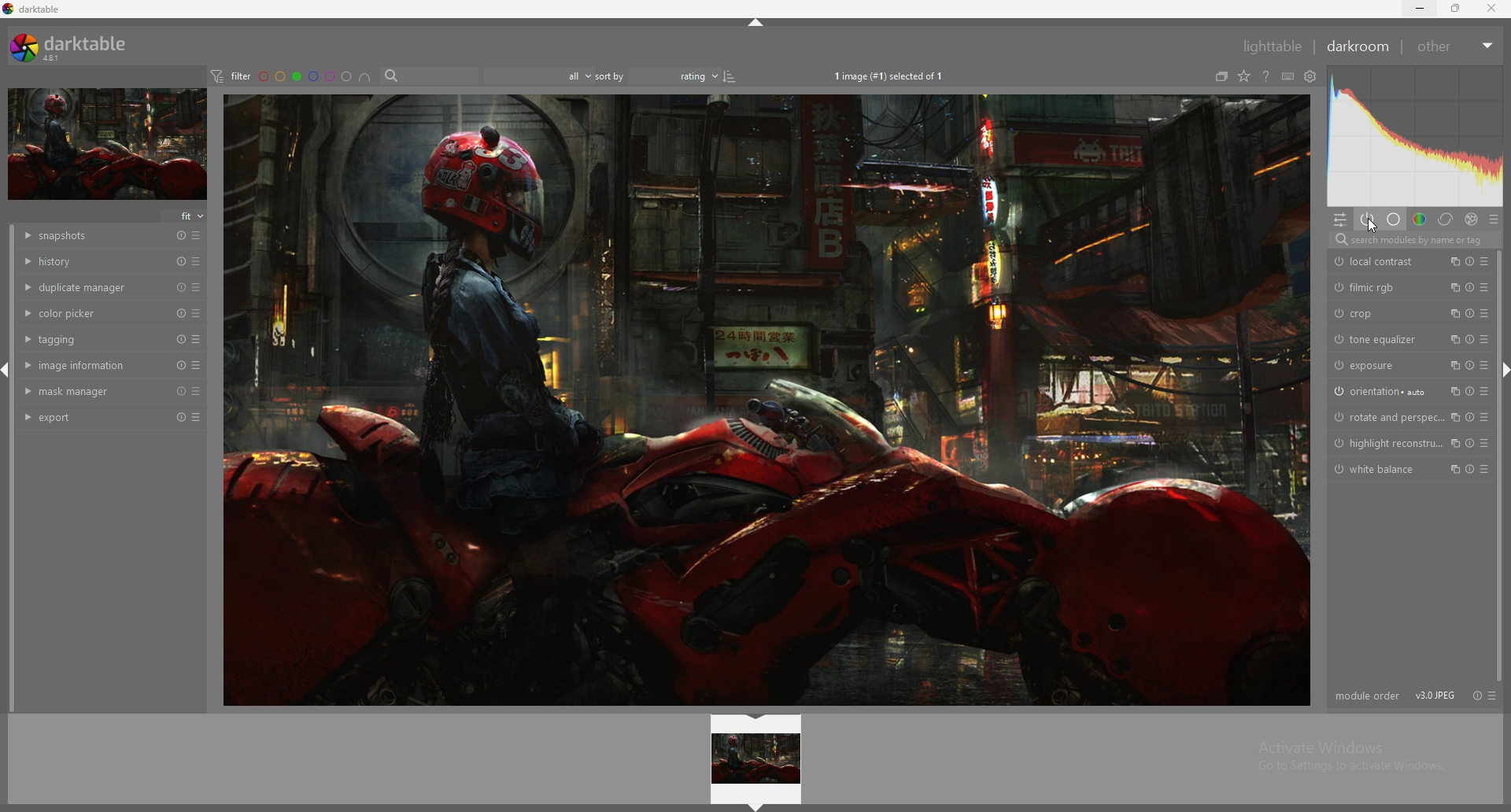 The height and width of the screenshot is (812, 1511). What do you see at coordinates (364, 76) in the screenshot?
I see `images having all selected color labels` at bounding box center [364, 76].